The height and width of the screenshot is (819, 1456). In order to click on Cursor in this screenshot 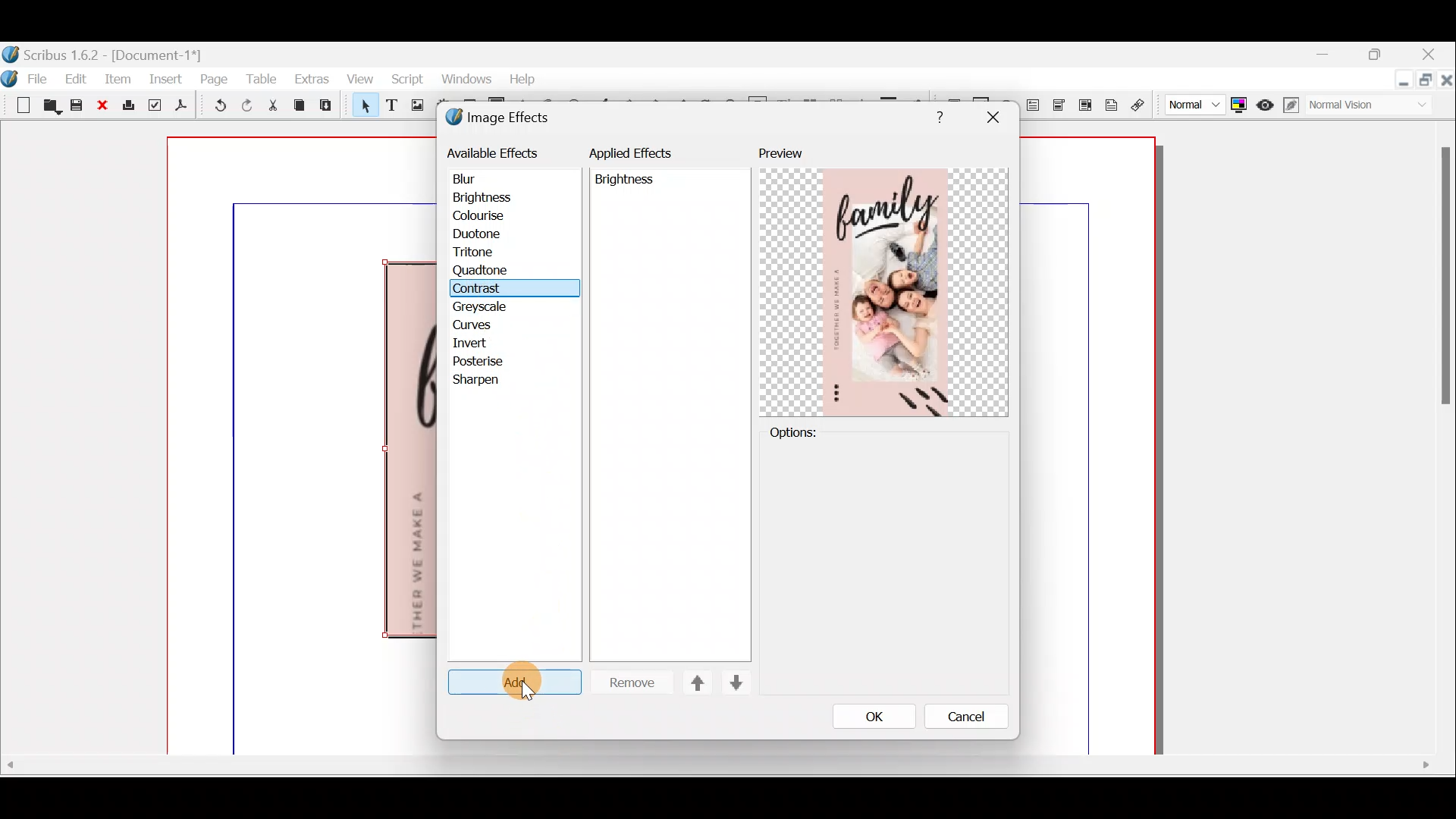, I will do `click(504, 682)`.